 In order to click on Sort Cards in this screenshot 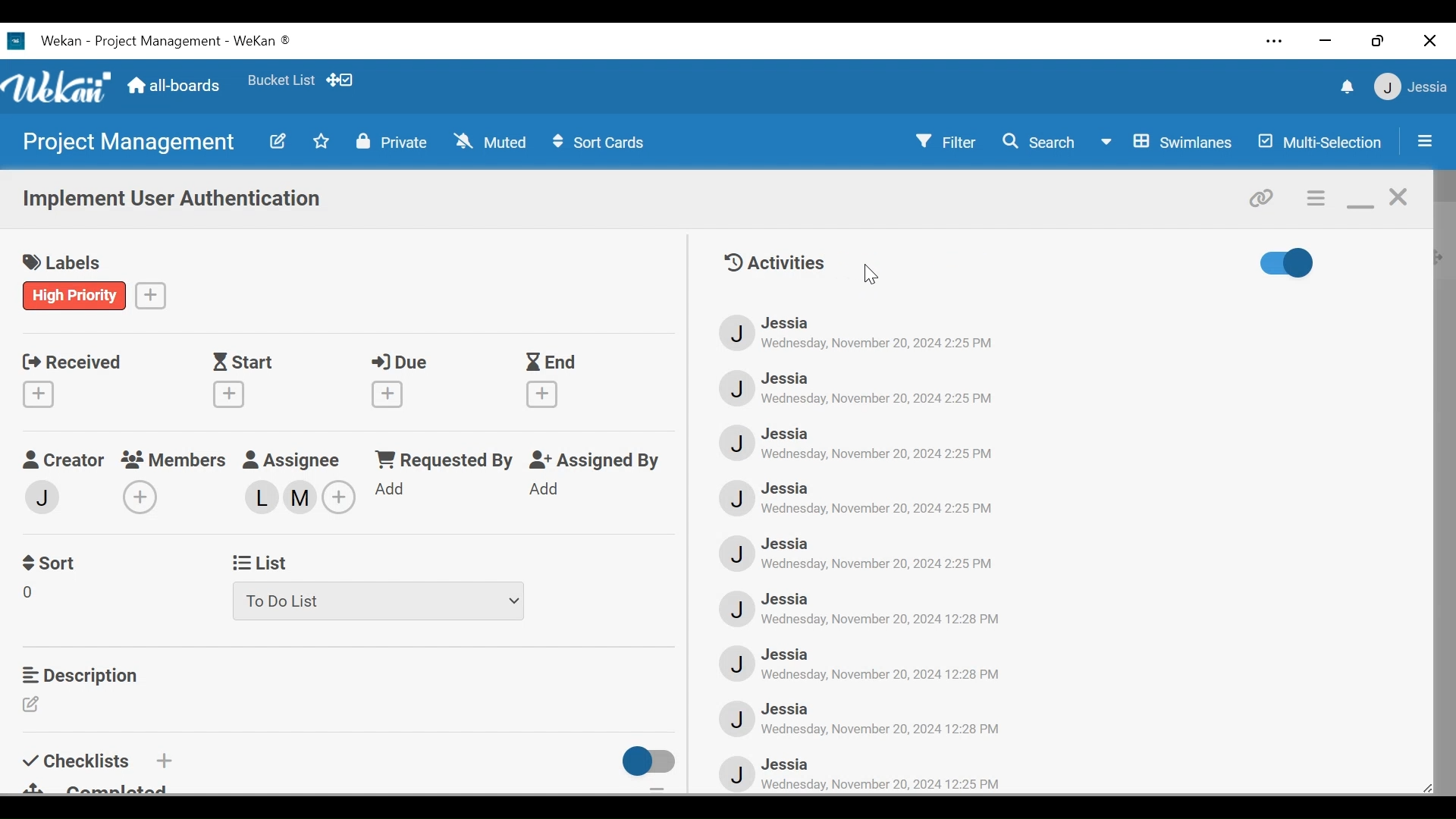, I will do `click(600, 142)`.